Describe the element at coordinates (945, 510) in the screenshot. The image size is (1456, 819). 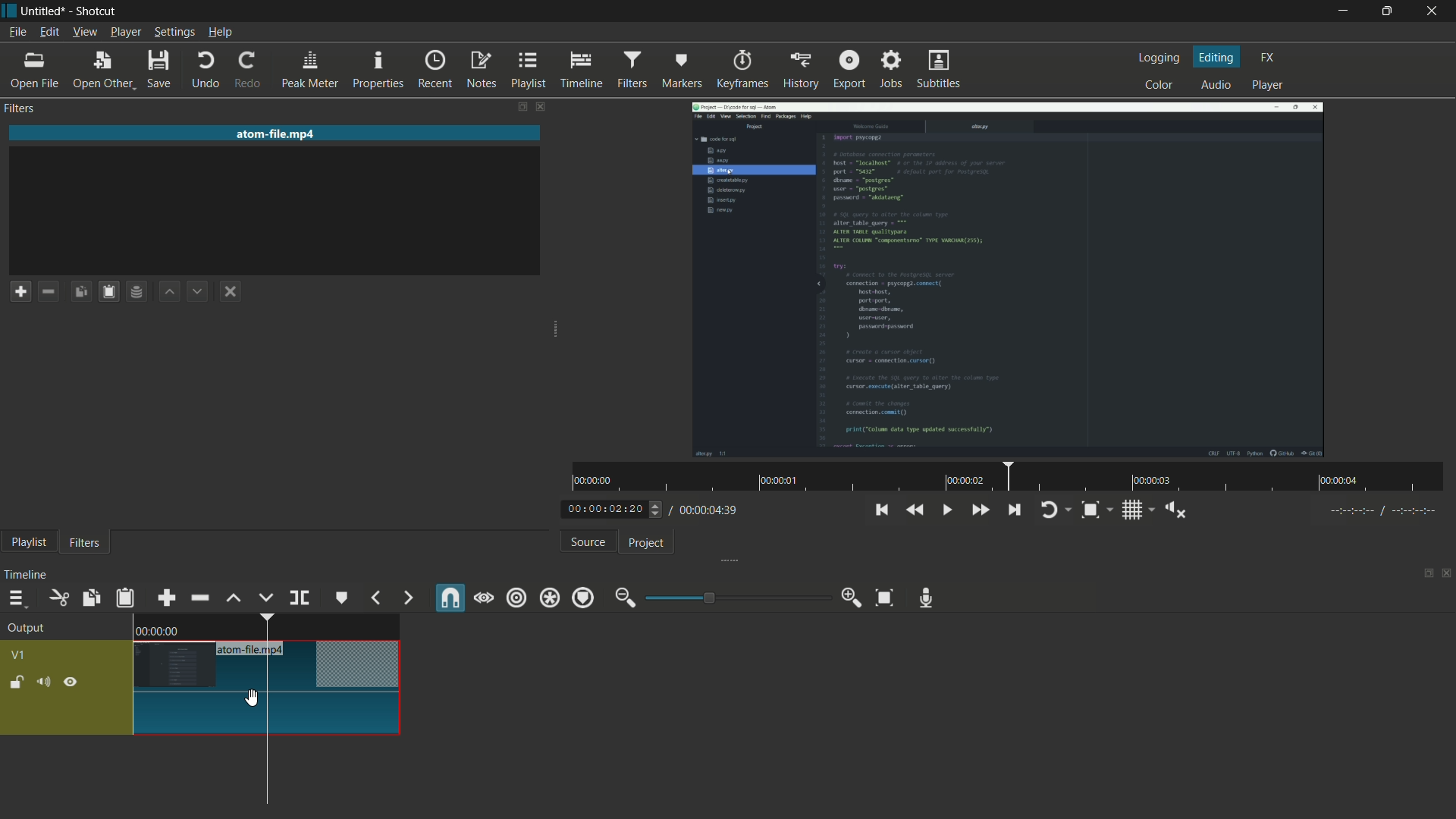
I see `toggle play or pause` at that location.